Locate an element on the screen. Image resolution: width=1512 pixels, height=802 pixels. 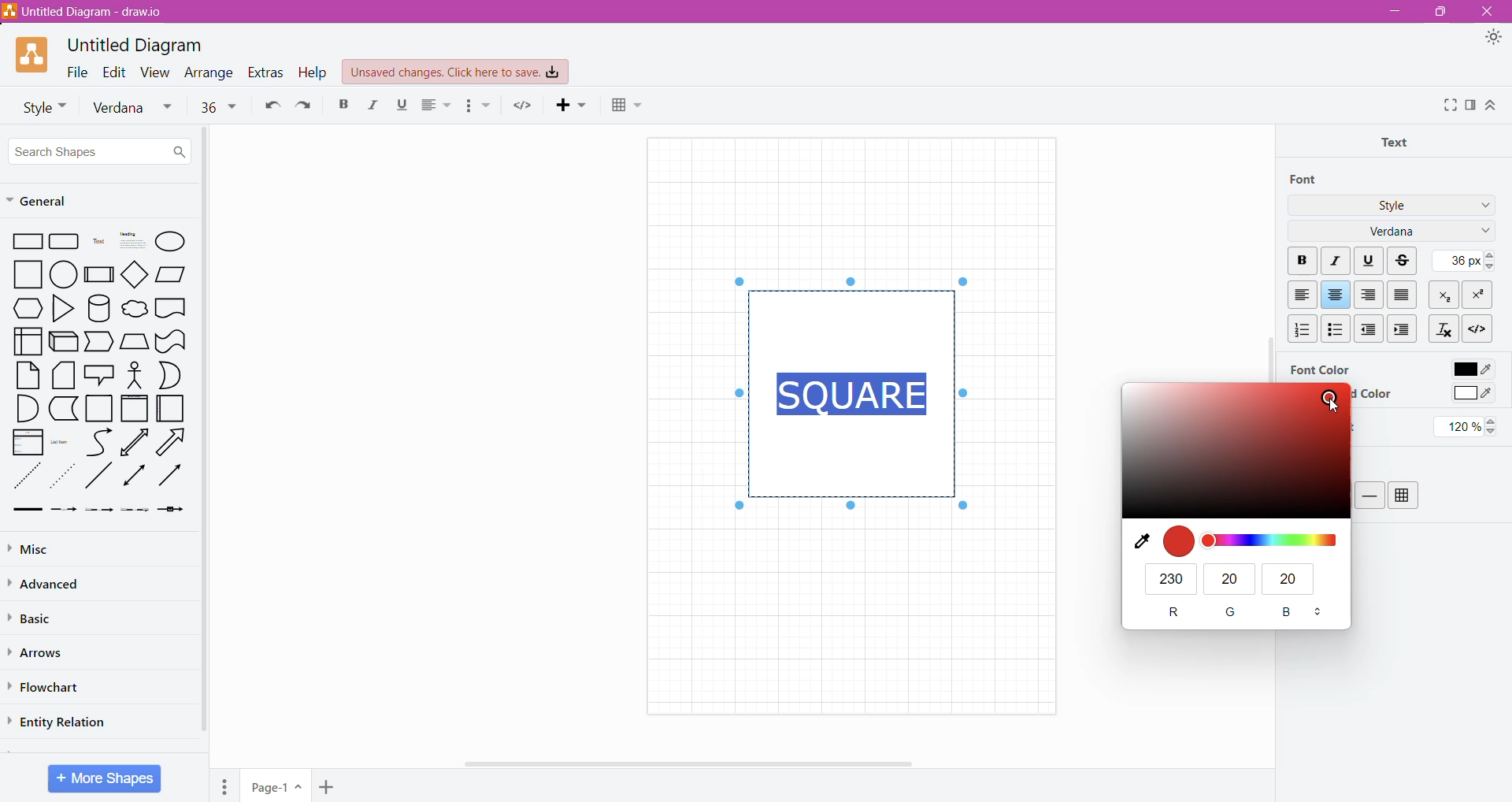
Set Font Size is located at coordinates (1462, 260).